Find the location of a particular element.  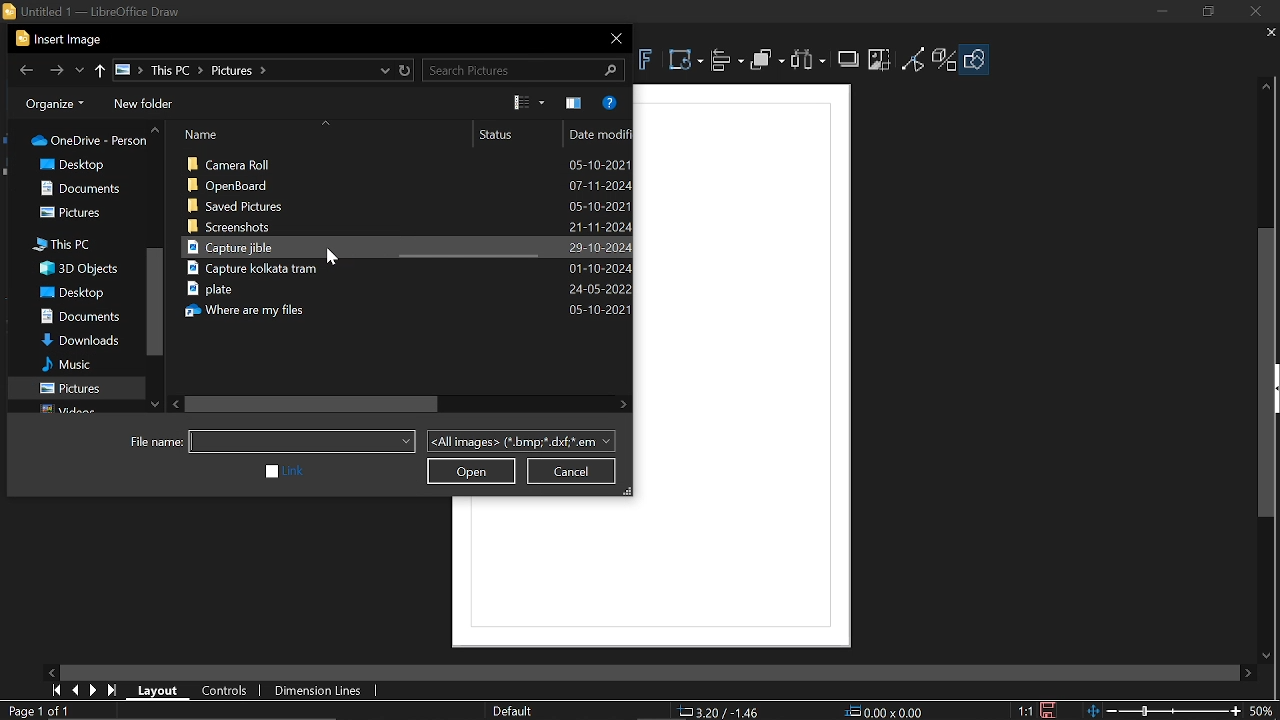

Close tab is located at coordinates (1264, 34).